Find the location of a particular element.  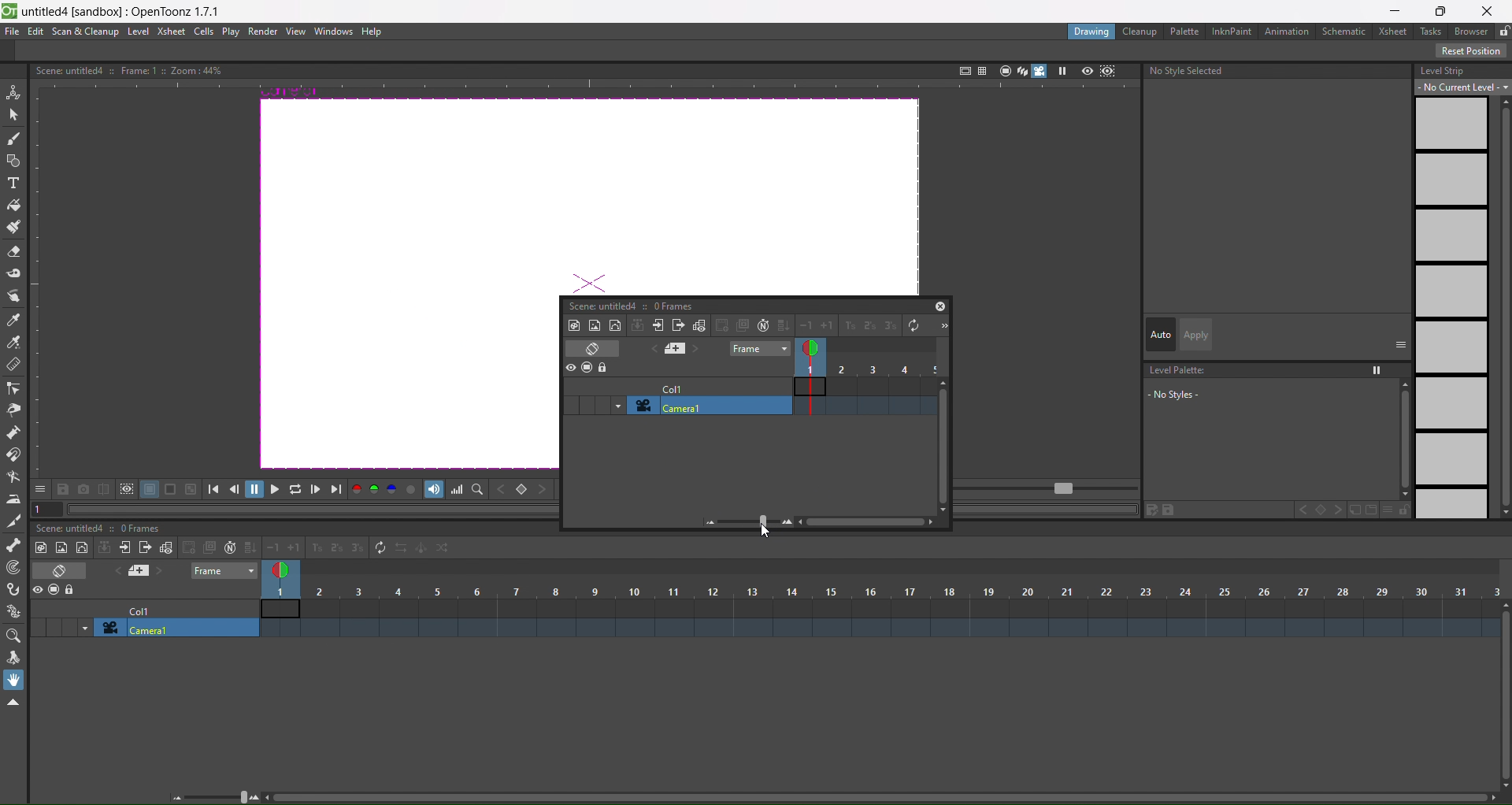

toggle edit in place is located at coordinates (165, 547).